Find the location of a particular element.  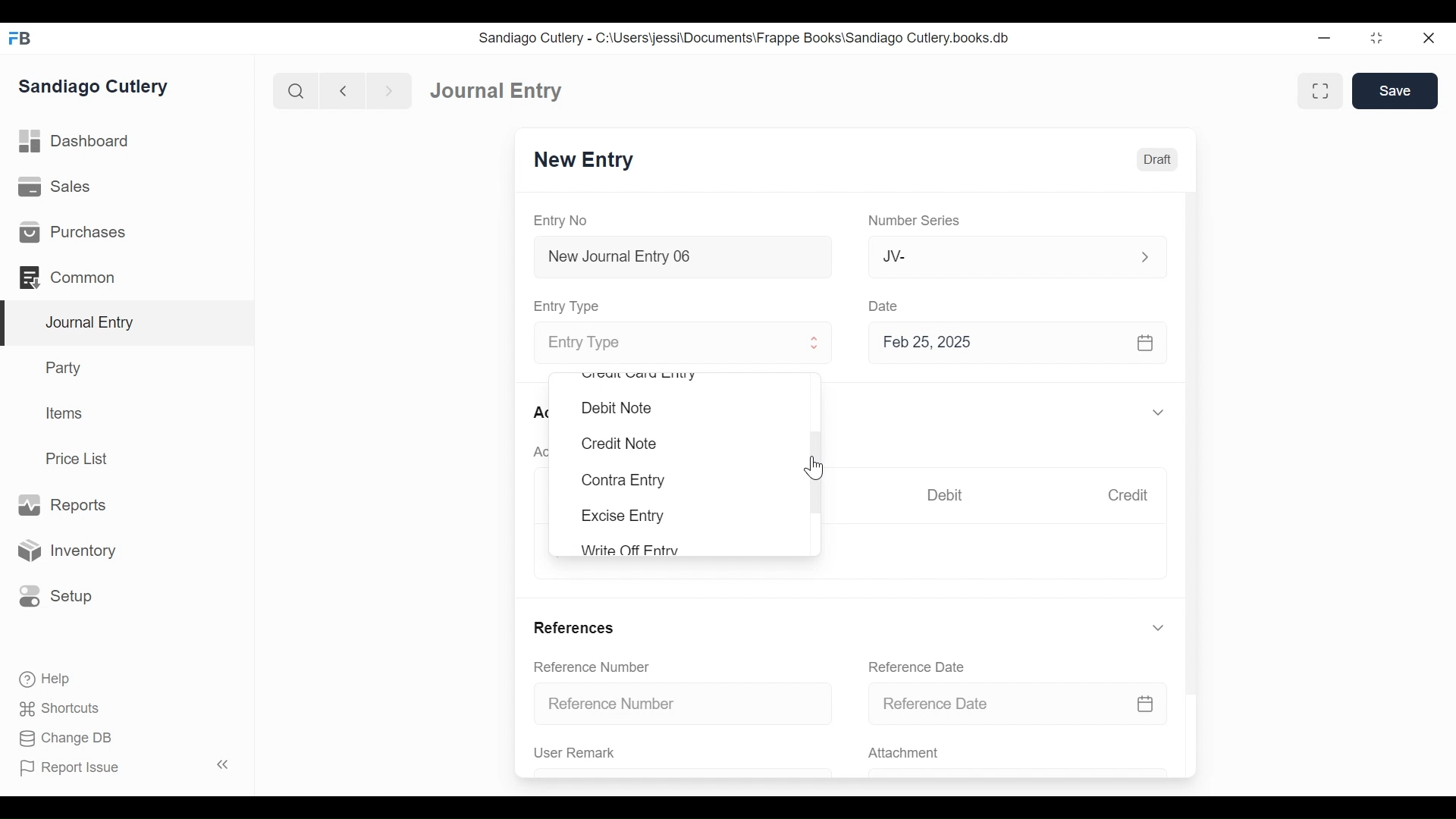

Help is located at coordinates (43, 678).